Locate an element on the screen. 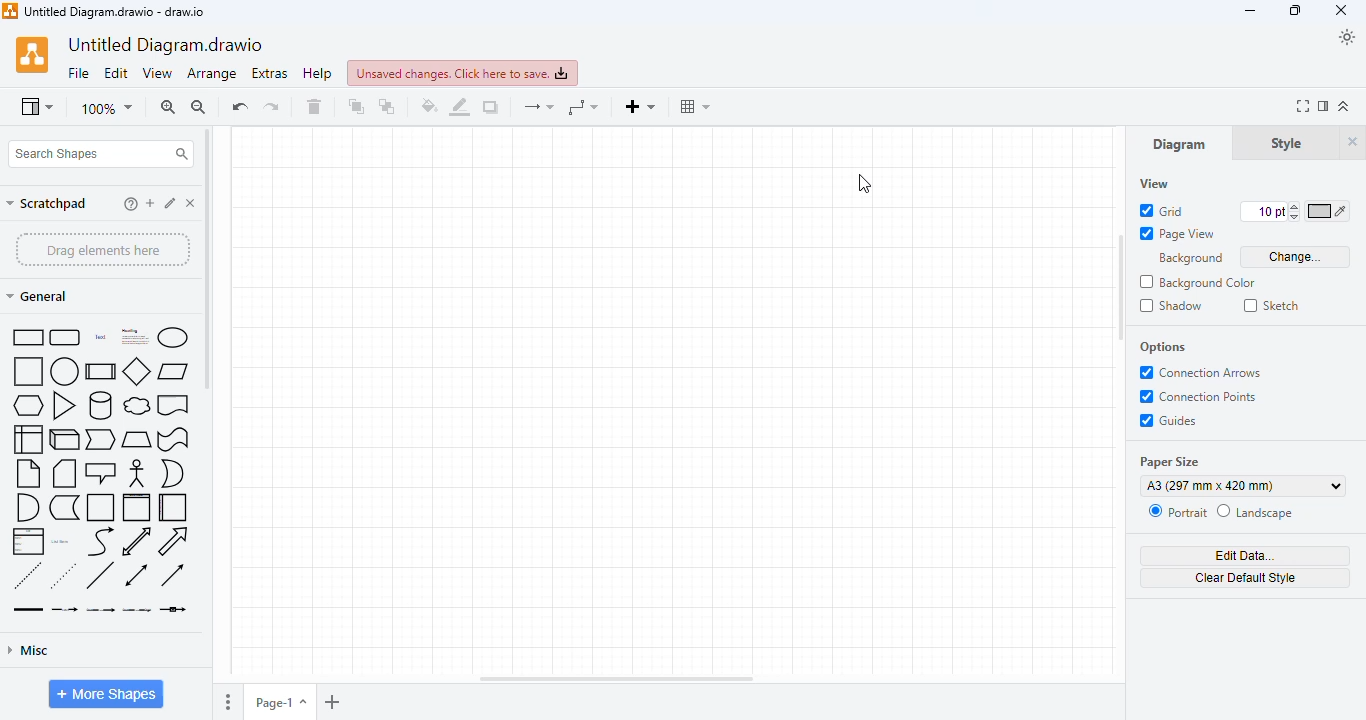  redo is located at coordinates (271, 106).